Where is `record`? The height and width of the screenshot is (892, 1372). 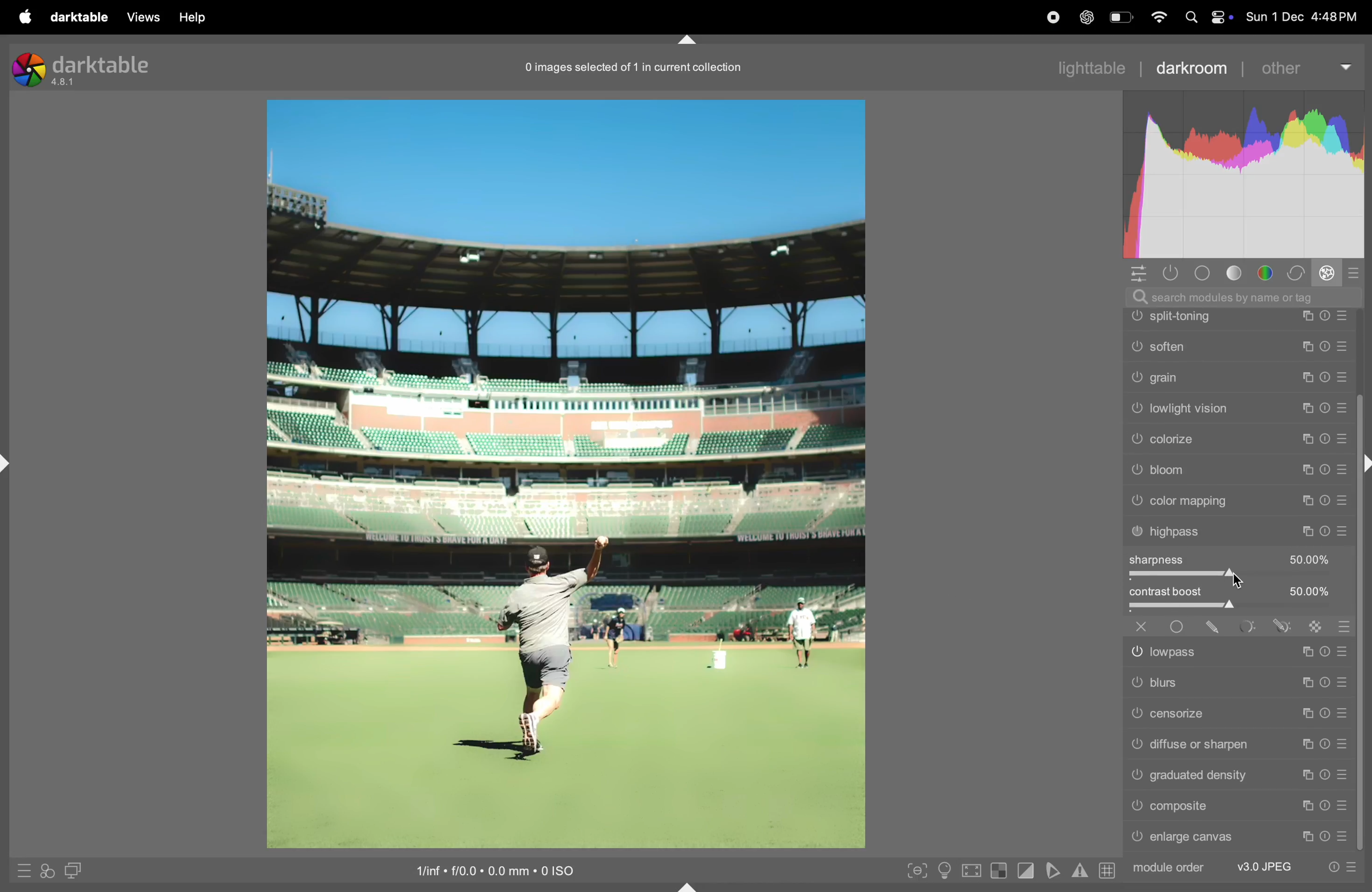 record is located at coordinates (1007, 18).